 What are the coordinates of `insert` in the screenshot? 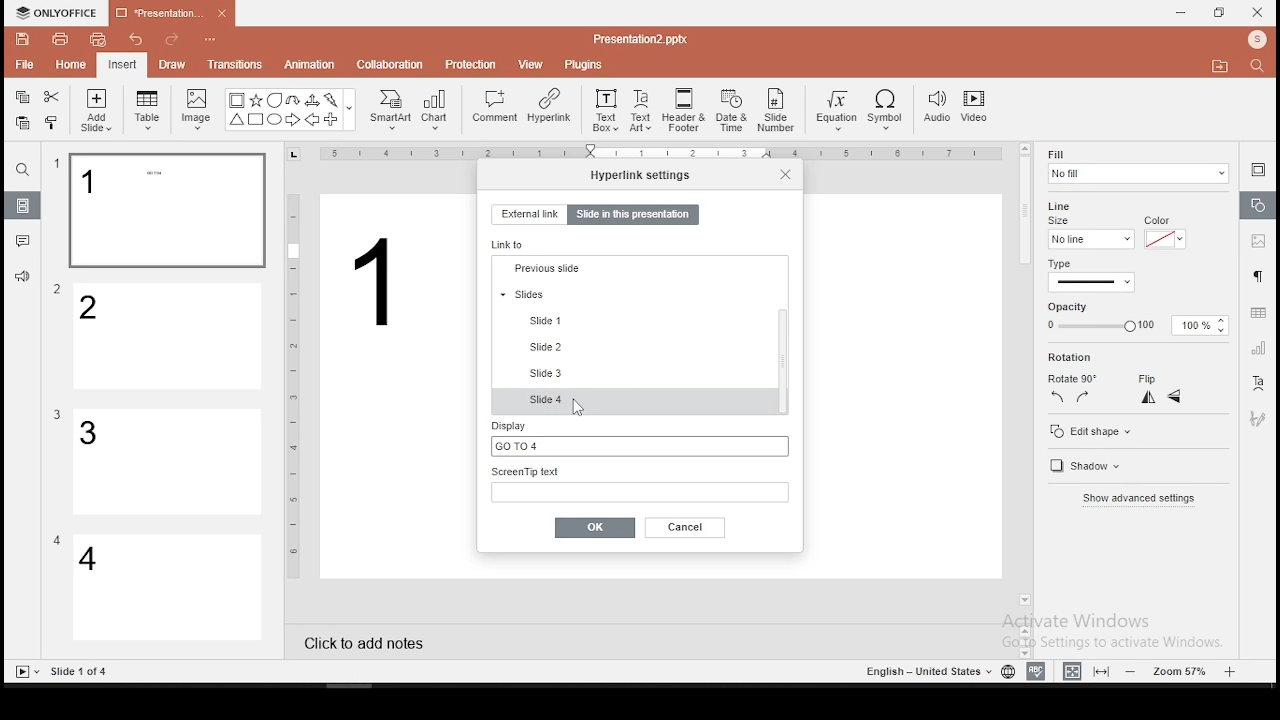 It's located at (121, 64).